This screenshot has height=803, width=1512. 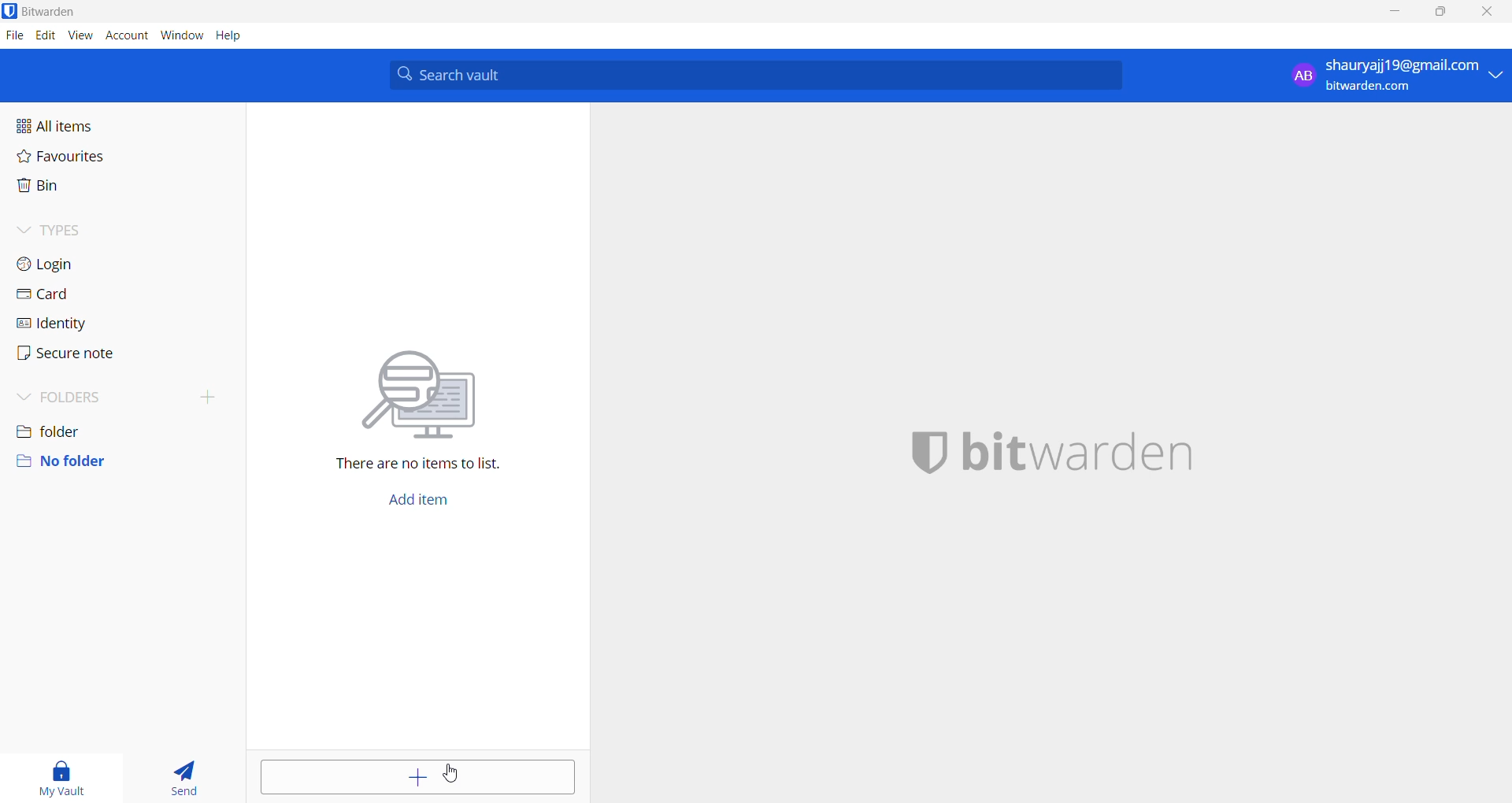 I want to click on login, so click(x=82, y=265).